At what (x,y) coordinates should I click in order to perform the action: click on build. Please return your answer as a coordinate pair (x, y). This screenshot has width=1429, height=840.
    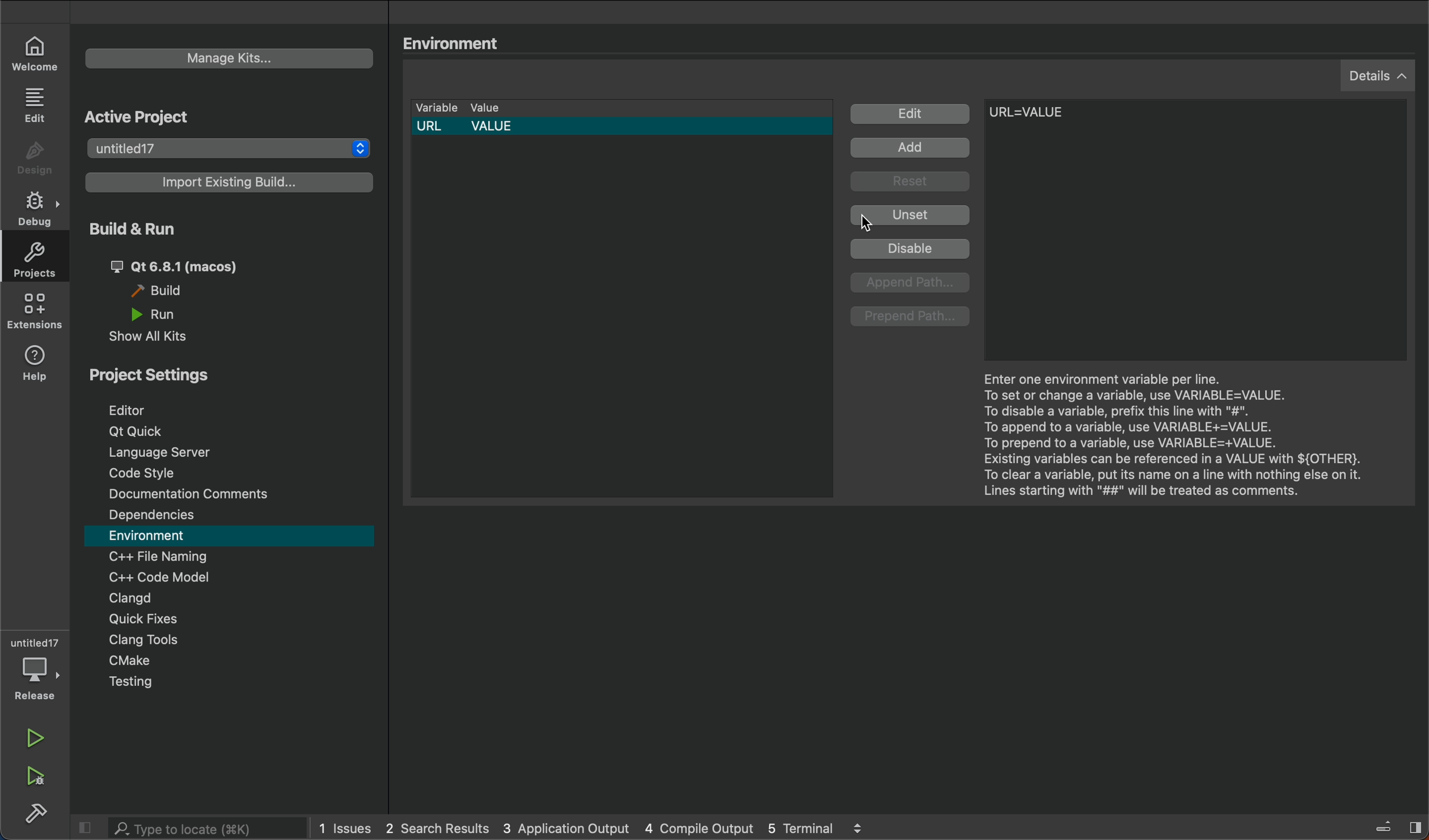
    Looking at the image, I should click on (40, 815).